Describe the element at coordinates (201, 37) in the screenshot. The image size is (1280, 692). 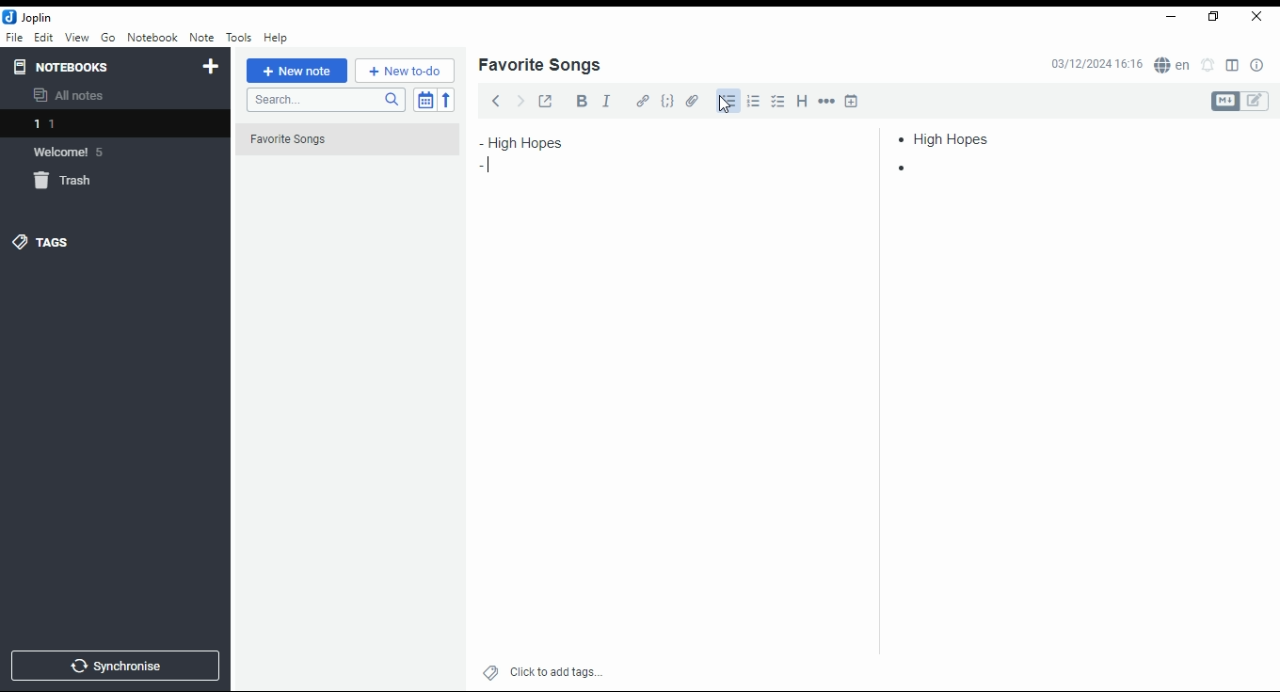
I see `note` at that location.